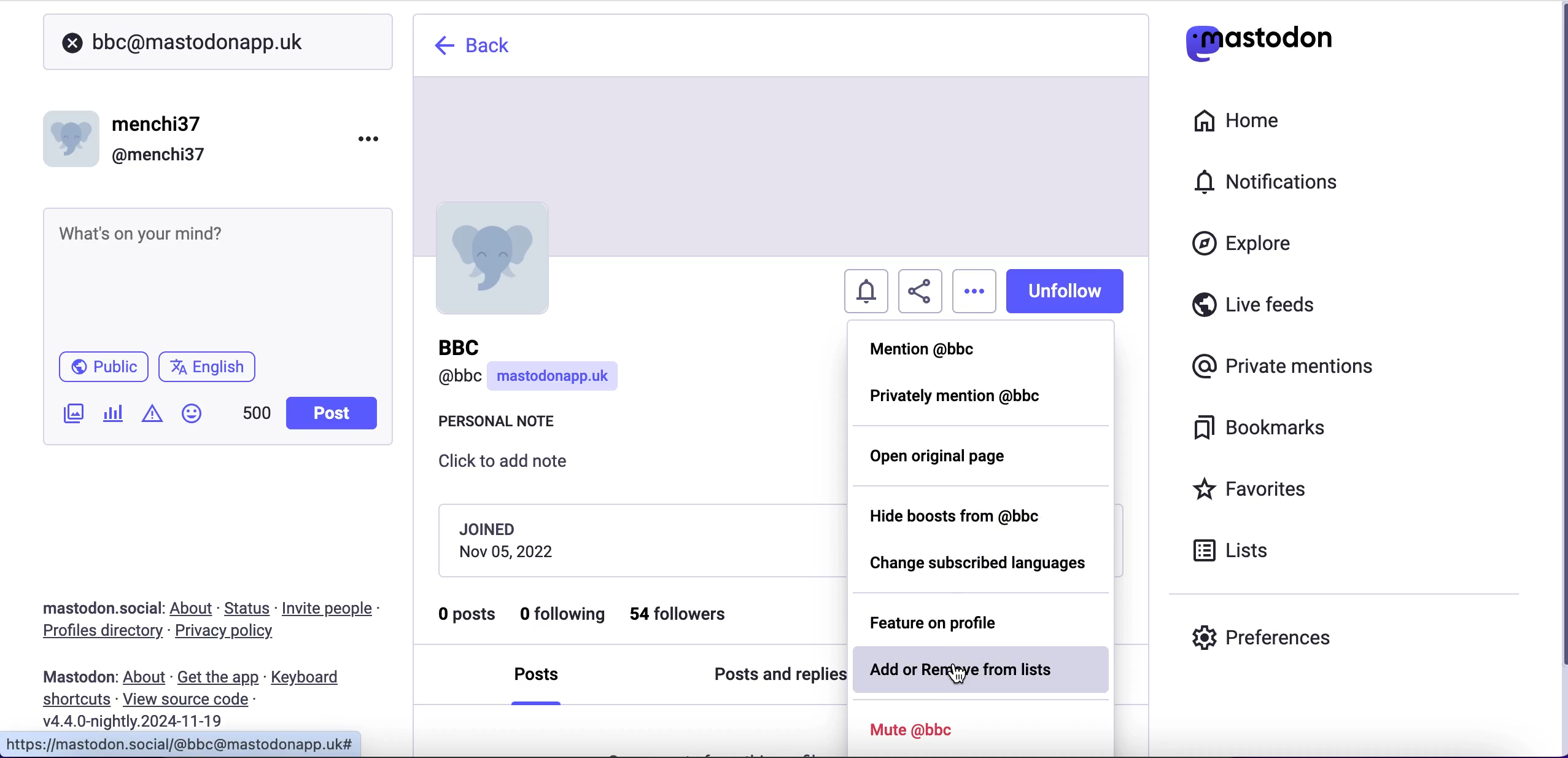 Image resolution: width=1568 pixels, height=758 pixels. I want to click on cursor, so click(961, 679).